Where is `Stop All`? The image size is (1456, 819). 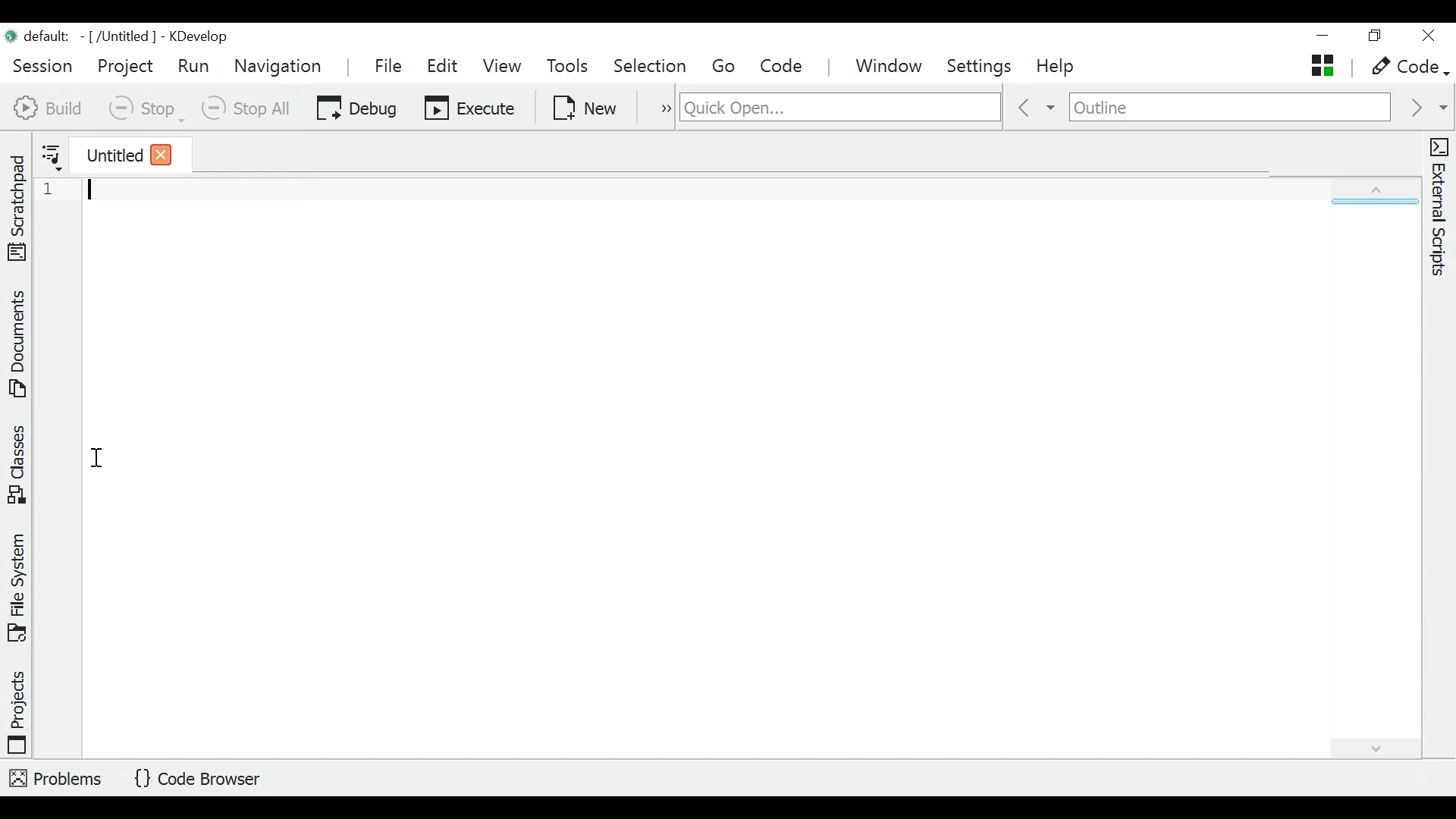 Stop All is located at coordinates (249, 108).